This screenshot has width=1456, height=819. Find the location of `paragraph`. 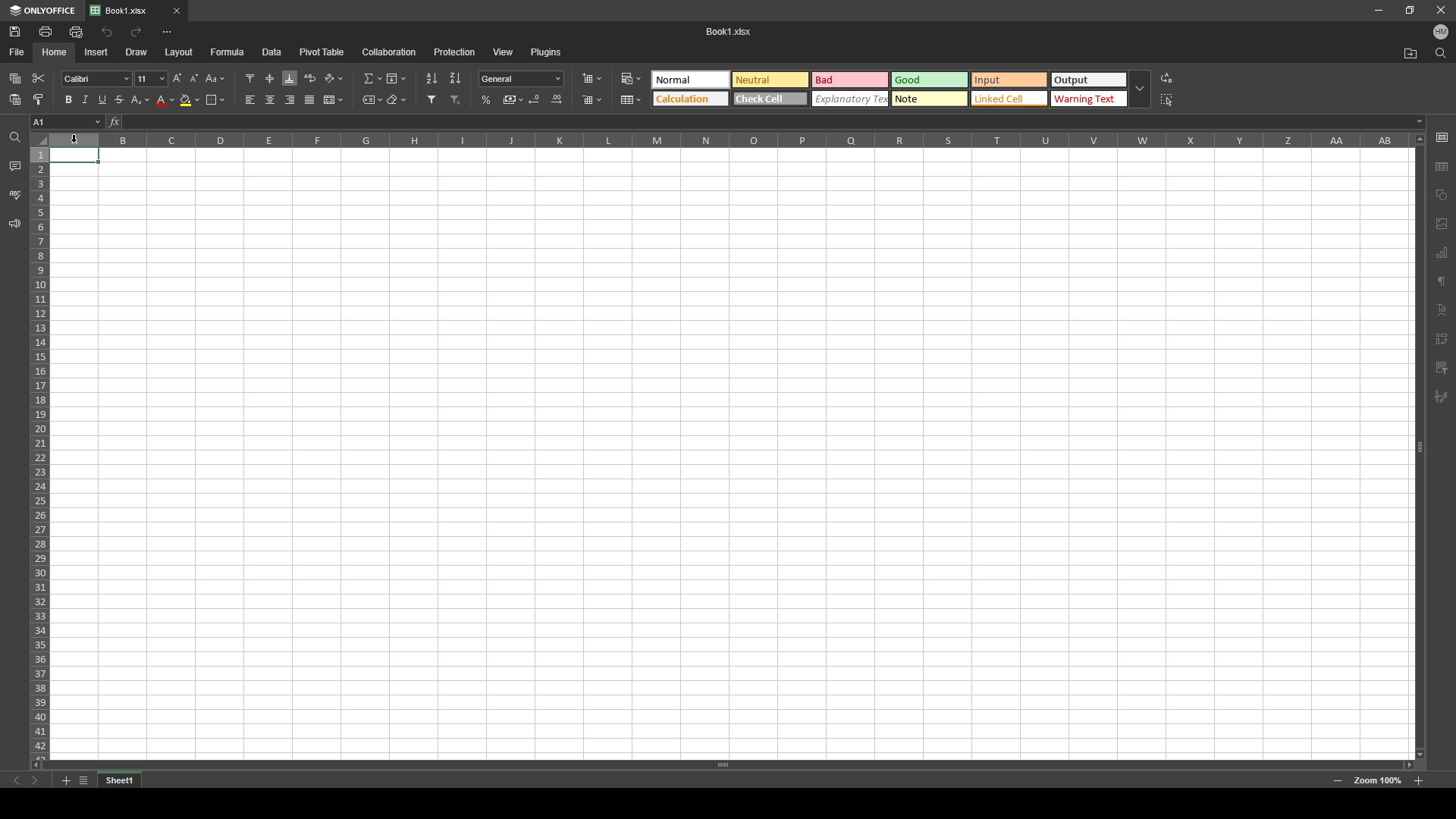

paragraph is located at coordinates (1442, 282).